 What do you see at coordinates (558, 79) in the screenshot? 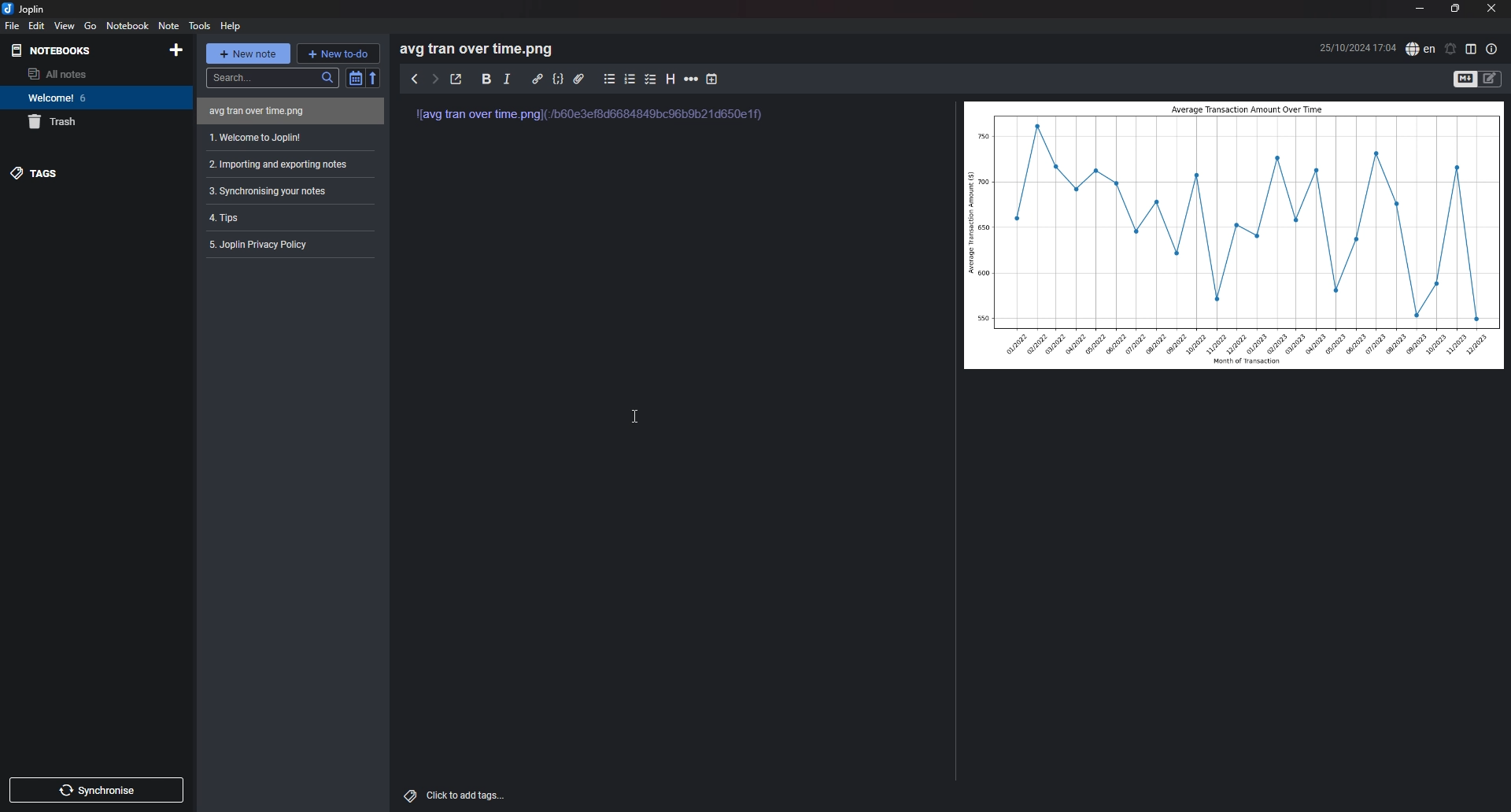
I see `code` at bounding box center [558, 79].